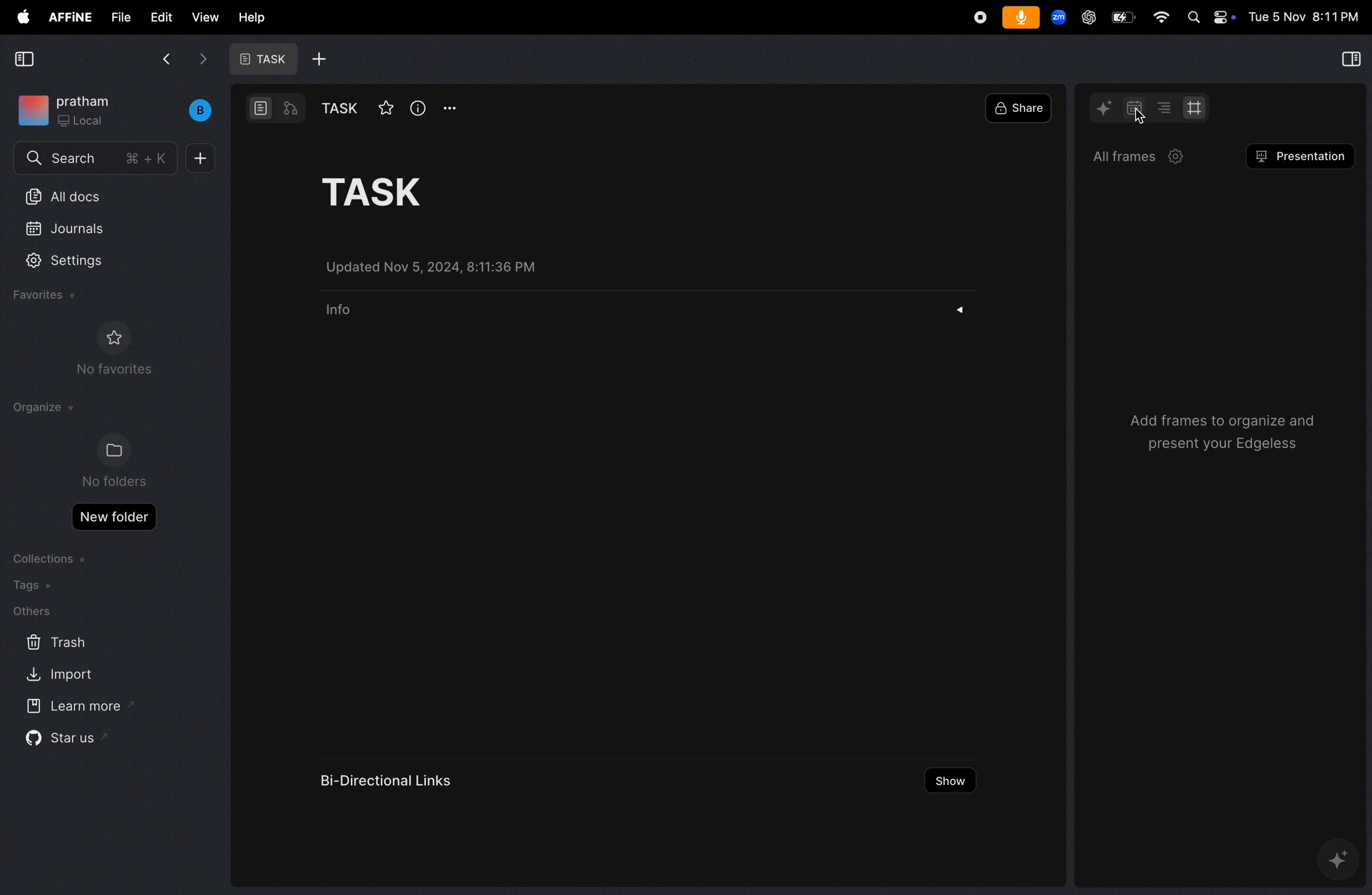 This screenshot has width=1372, height=895. Describe the element at coordinates (338, 108) in the screenshot. I see `` at that location.